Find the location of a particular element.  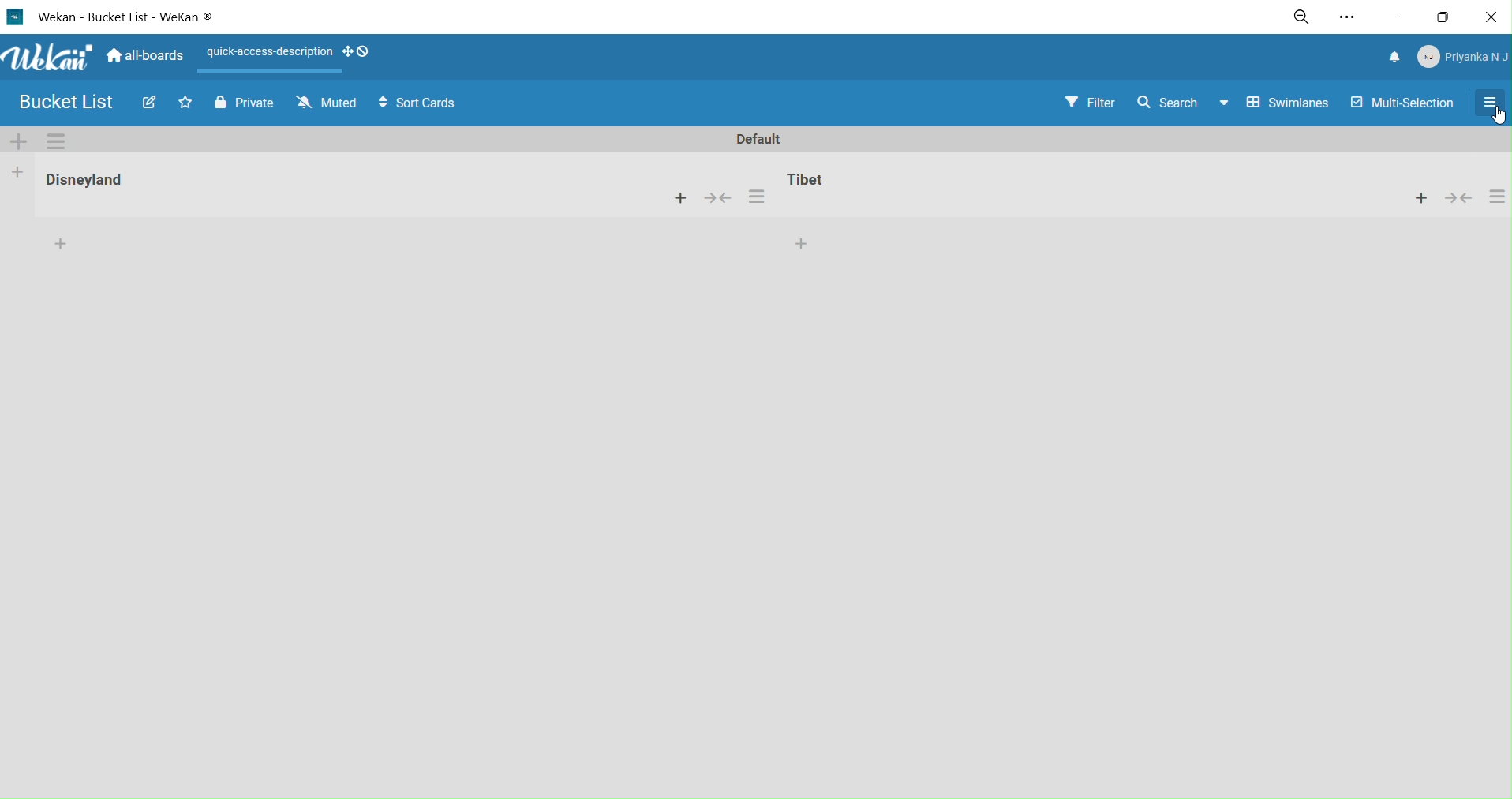

disneyland is located at coordinates (406, 171).